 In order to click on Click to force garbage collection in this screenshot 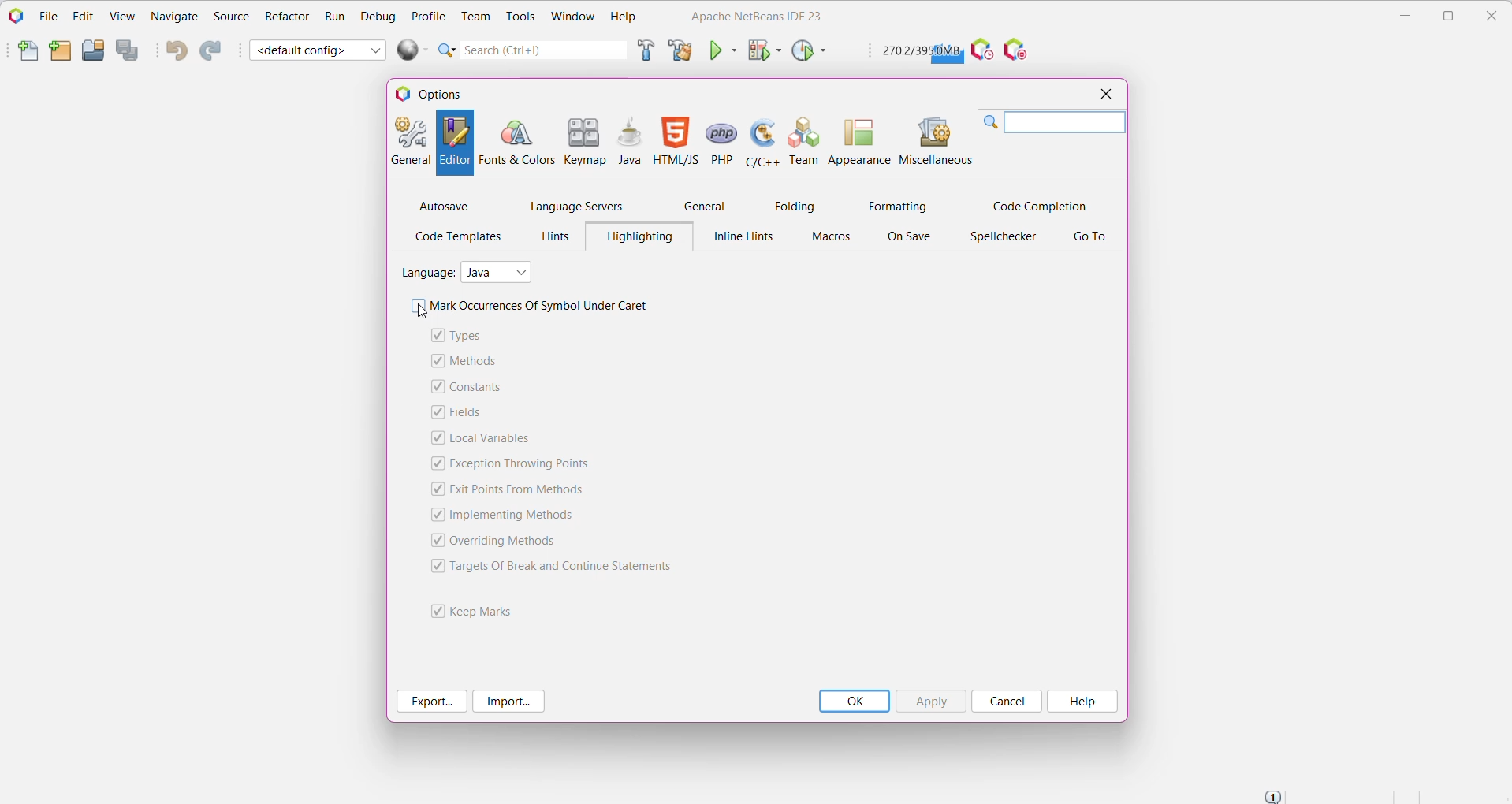, I will do `click(921, 51)`.